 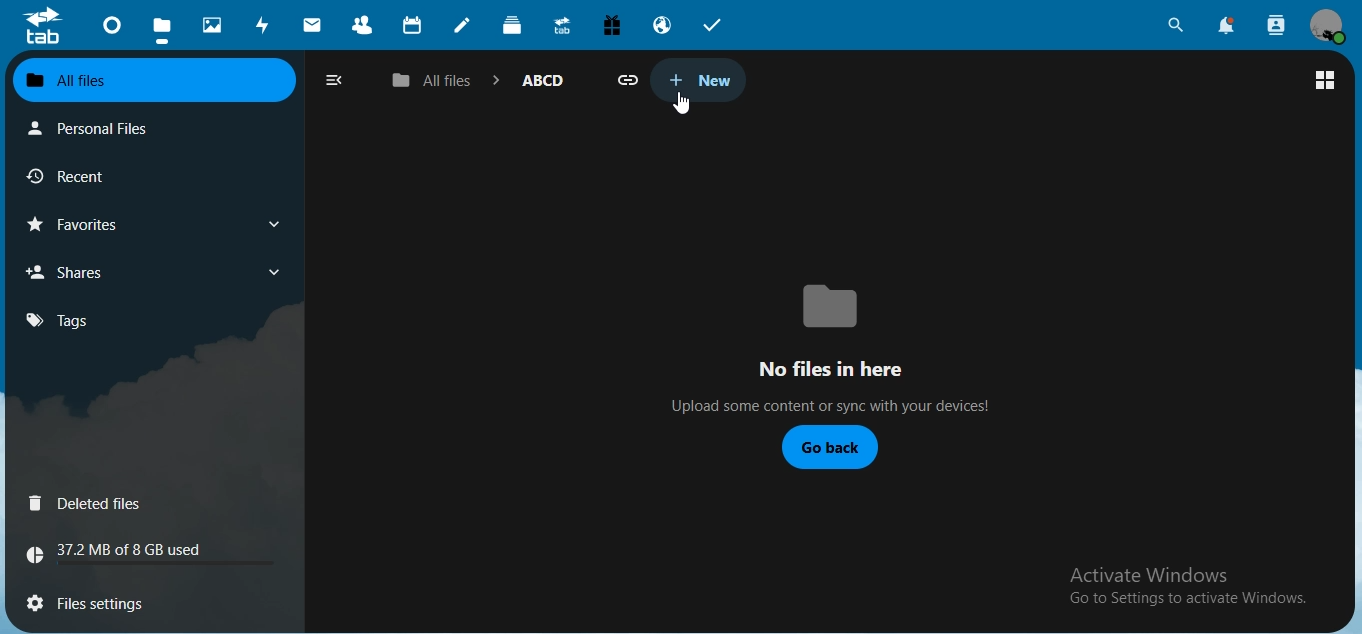 What do you see at coordinates (1176, 24) in the screenshot?
I see `search` at bounding box center [1176, 24].